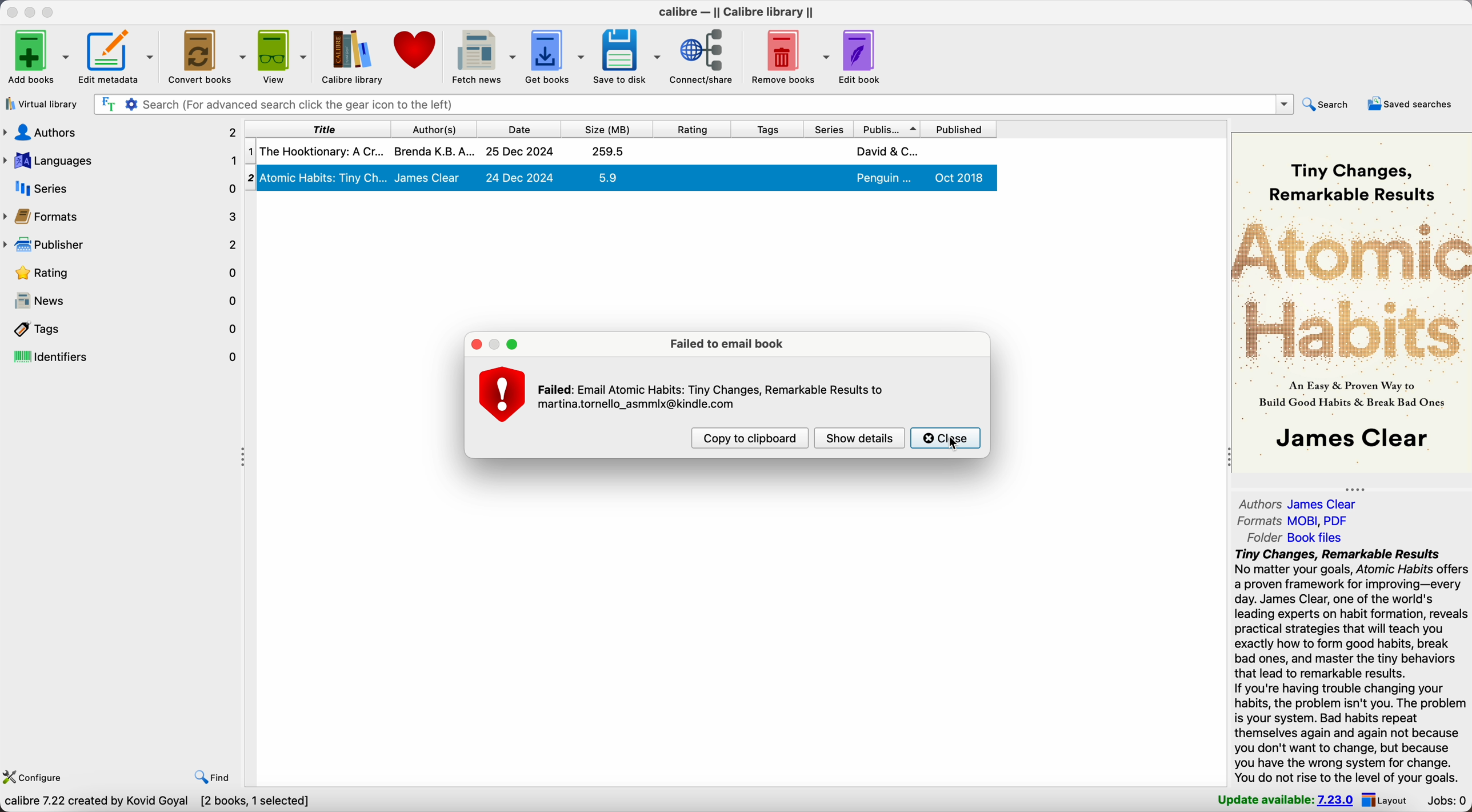  What do you see at coordinates (787, 55) in the screenshot?
I see `remove books` at bounding box center [787, 55].